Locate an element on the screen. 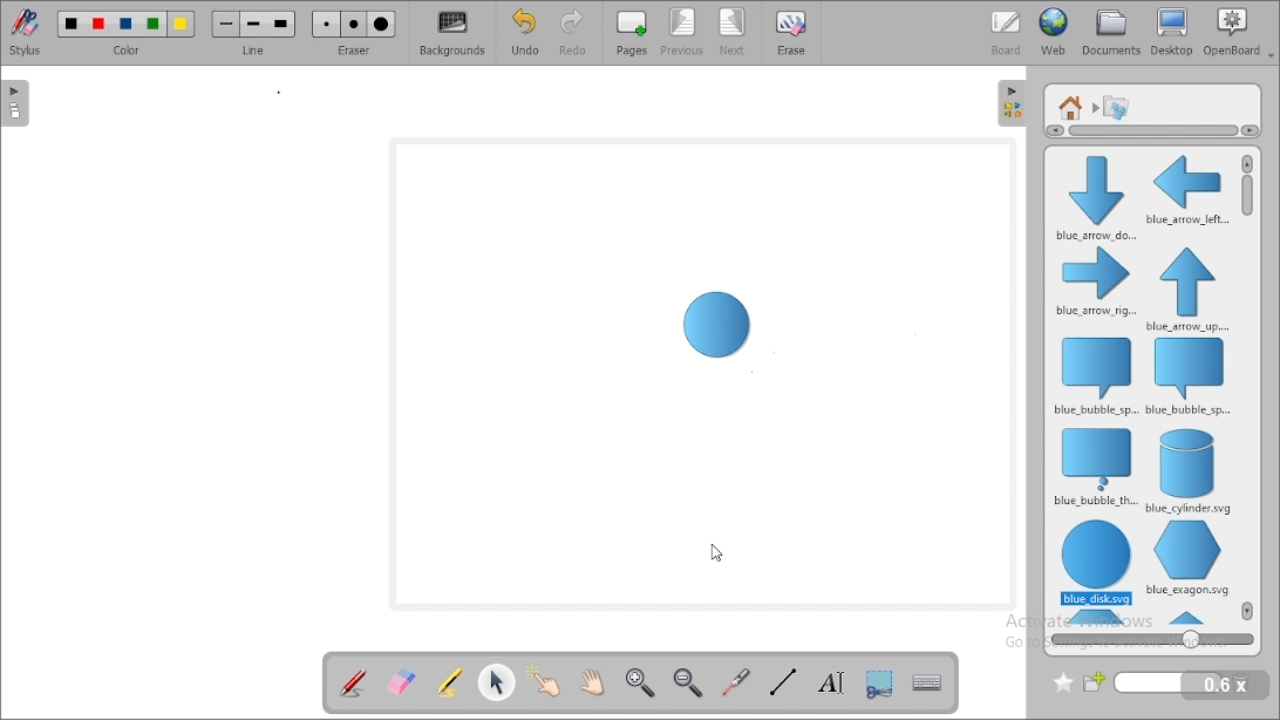 The width and height of the screenshot is (1280, 720). openboard is located at coordinates (1239, 32).